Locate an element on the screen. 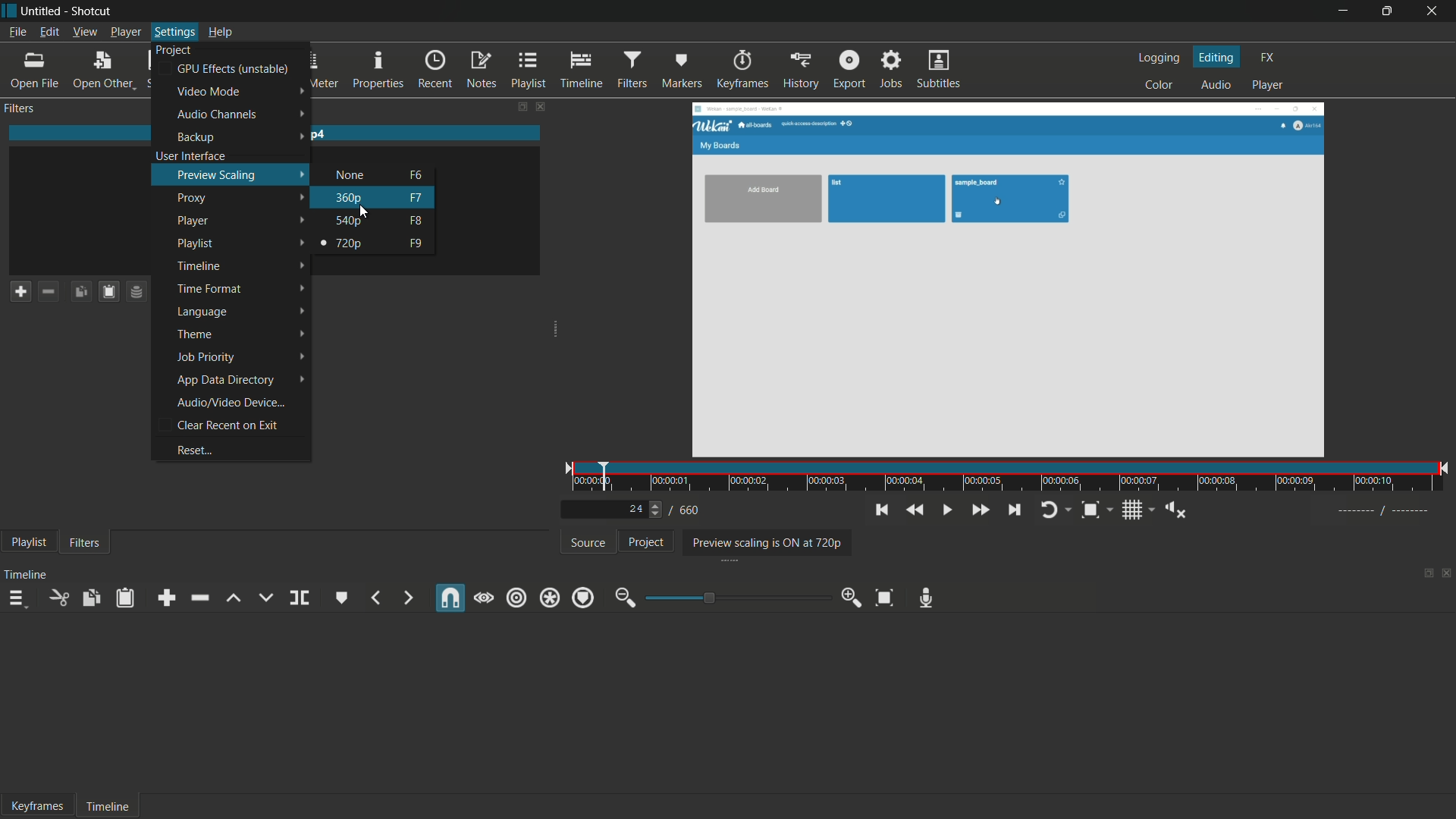 The image size is (1456, 819). overwrite is located at coordinates (262, 597).